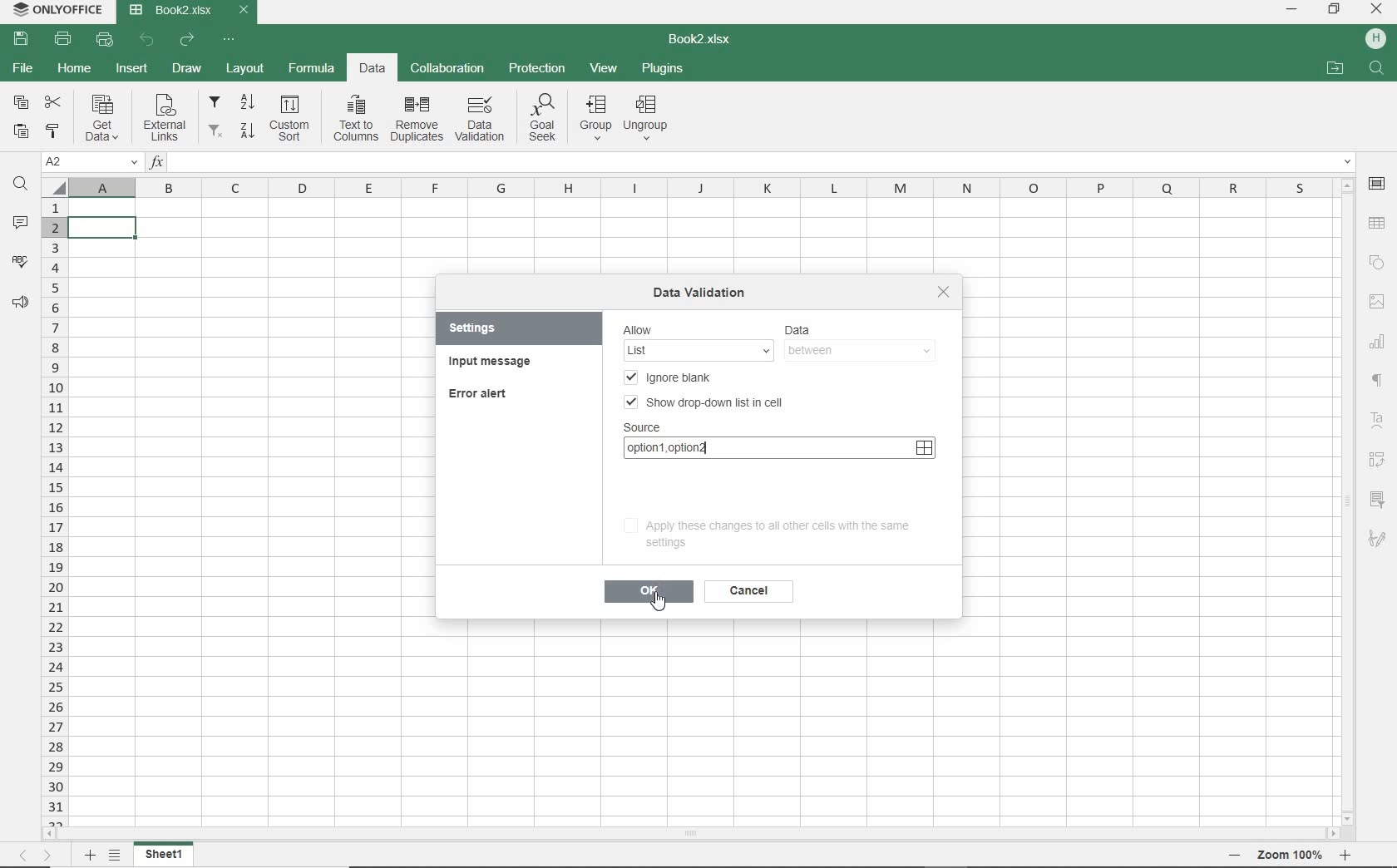  I want to click on NONPRINTIG CHARACTERS, so click(1379, 382).